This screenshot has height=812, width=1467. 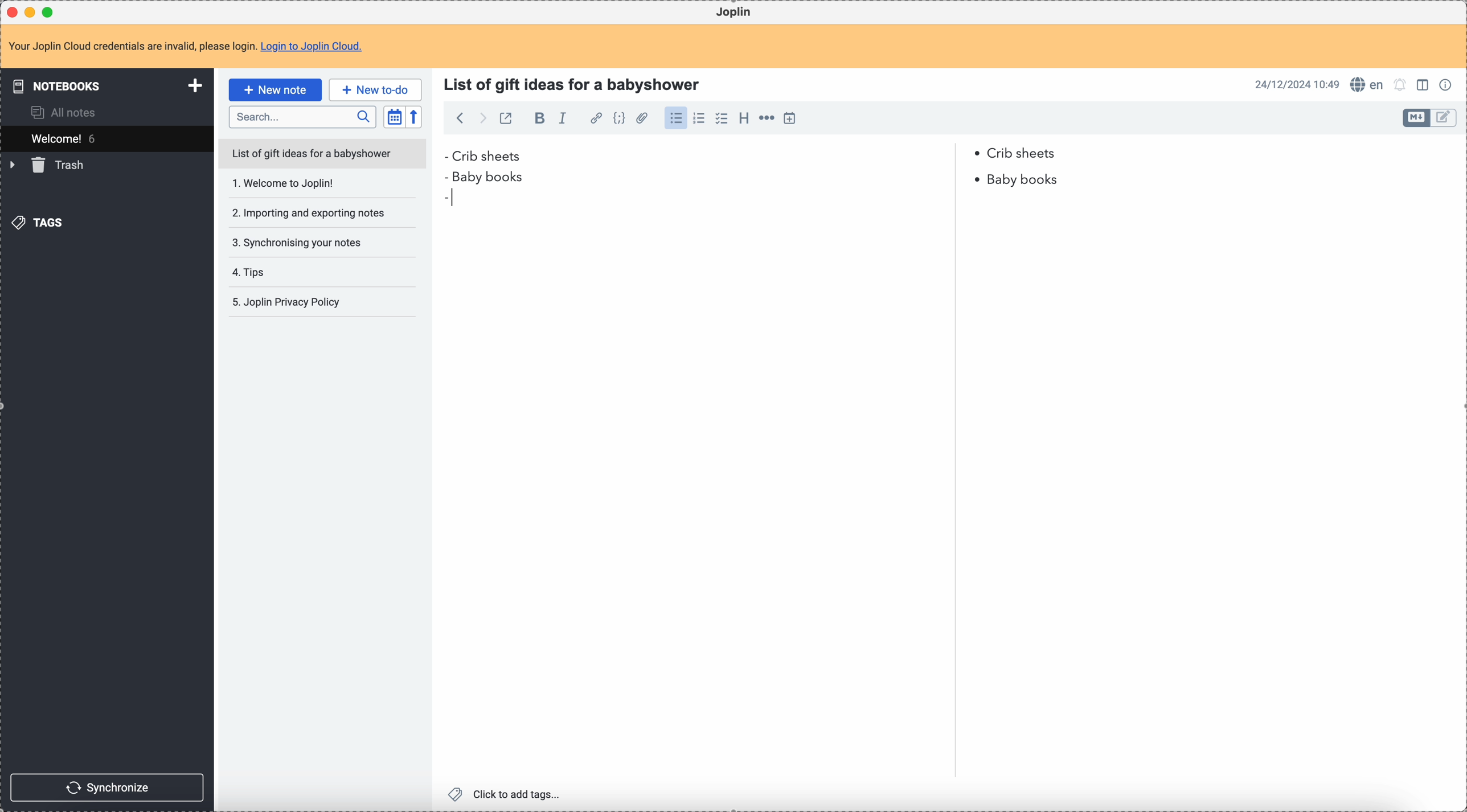 I want to click on toggle edit layout, so click(x=1416, y=118).